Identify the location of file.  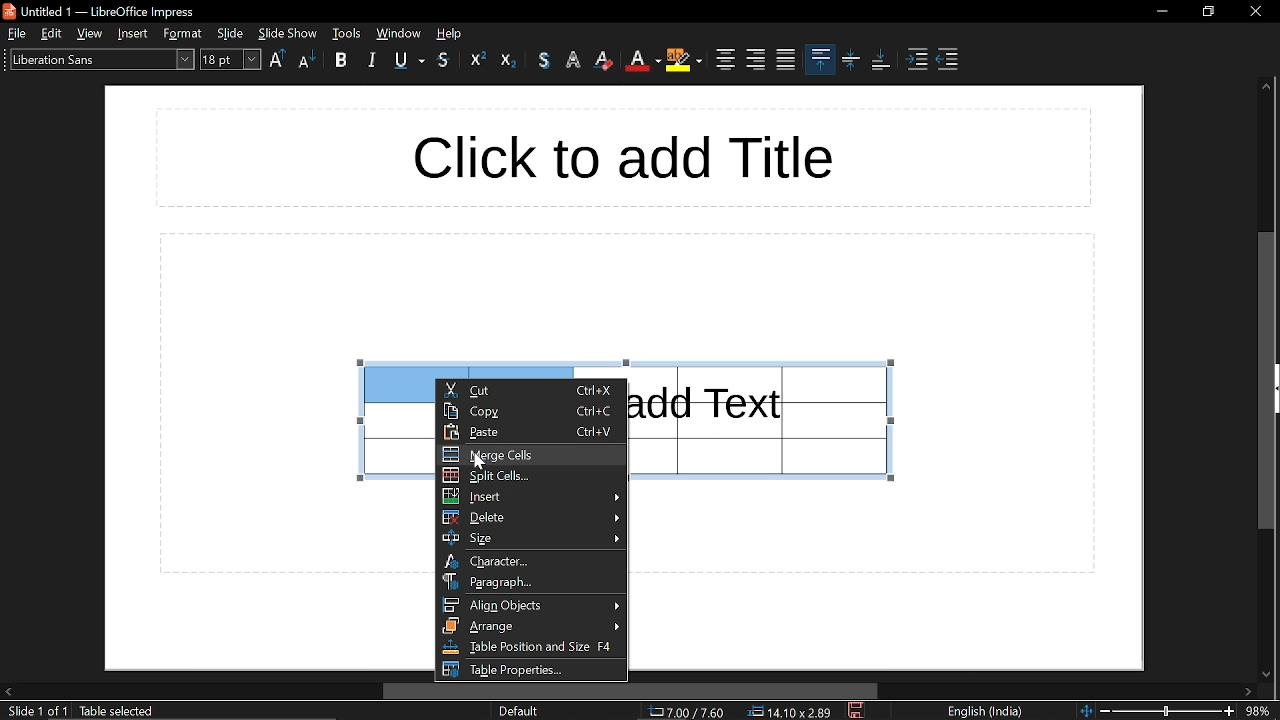
(15, 33).